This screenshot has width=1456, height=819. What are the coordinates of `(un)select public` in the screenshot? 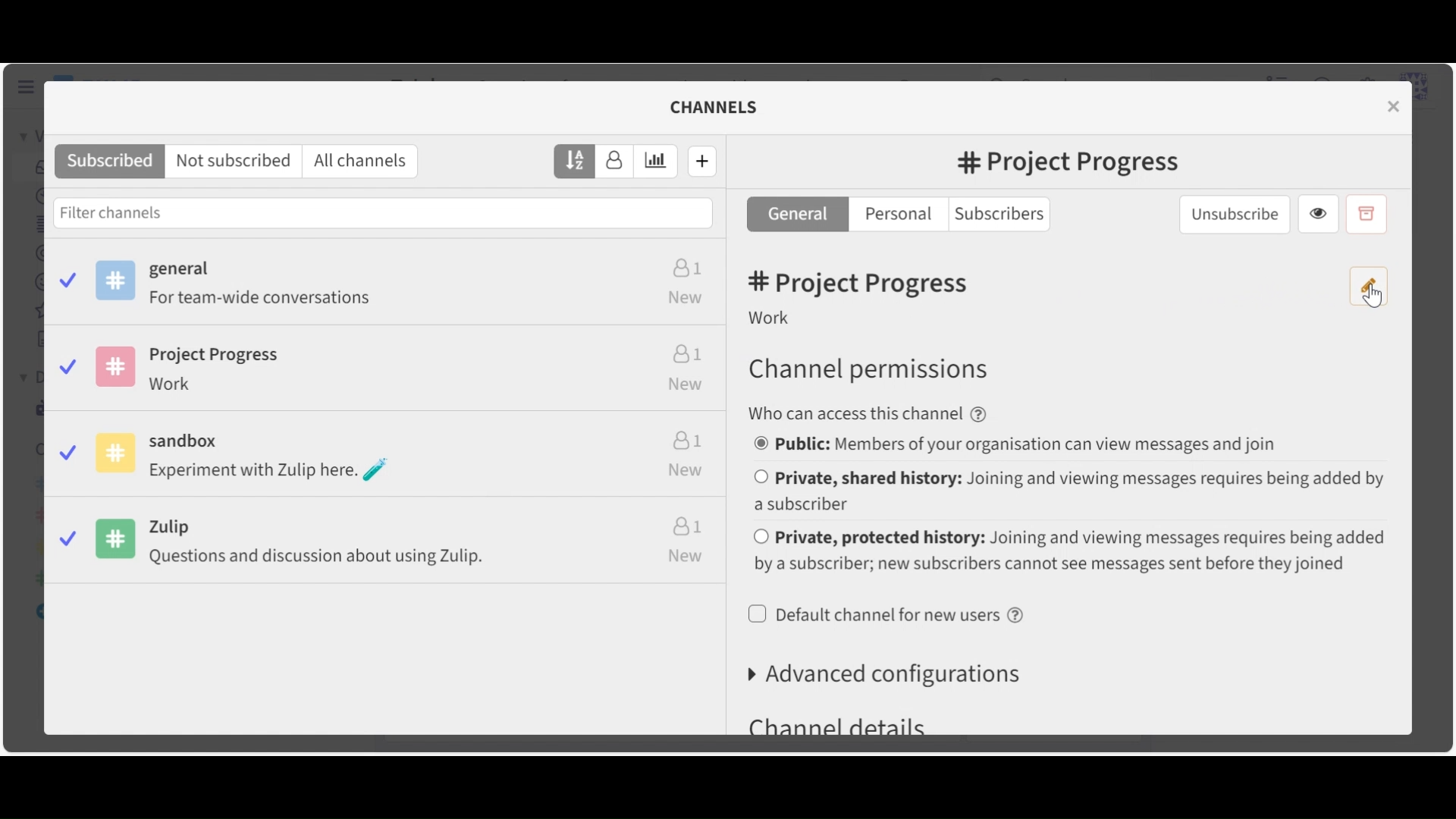 It's located at (1022, 444).